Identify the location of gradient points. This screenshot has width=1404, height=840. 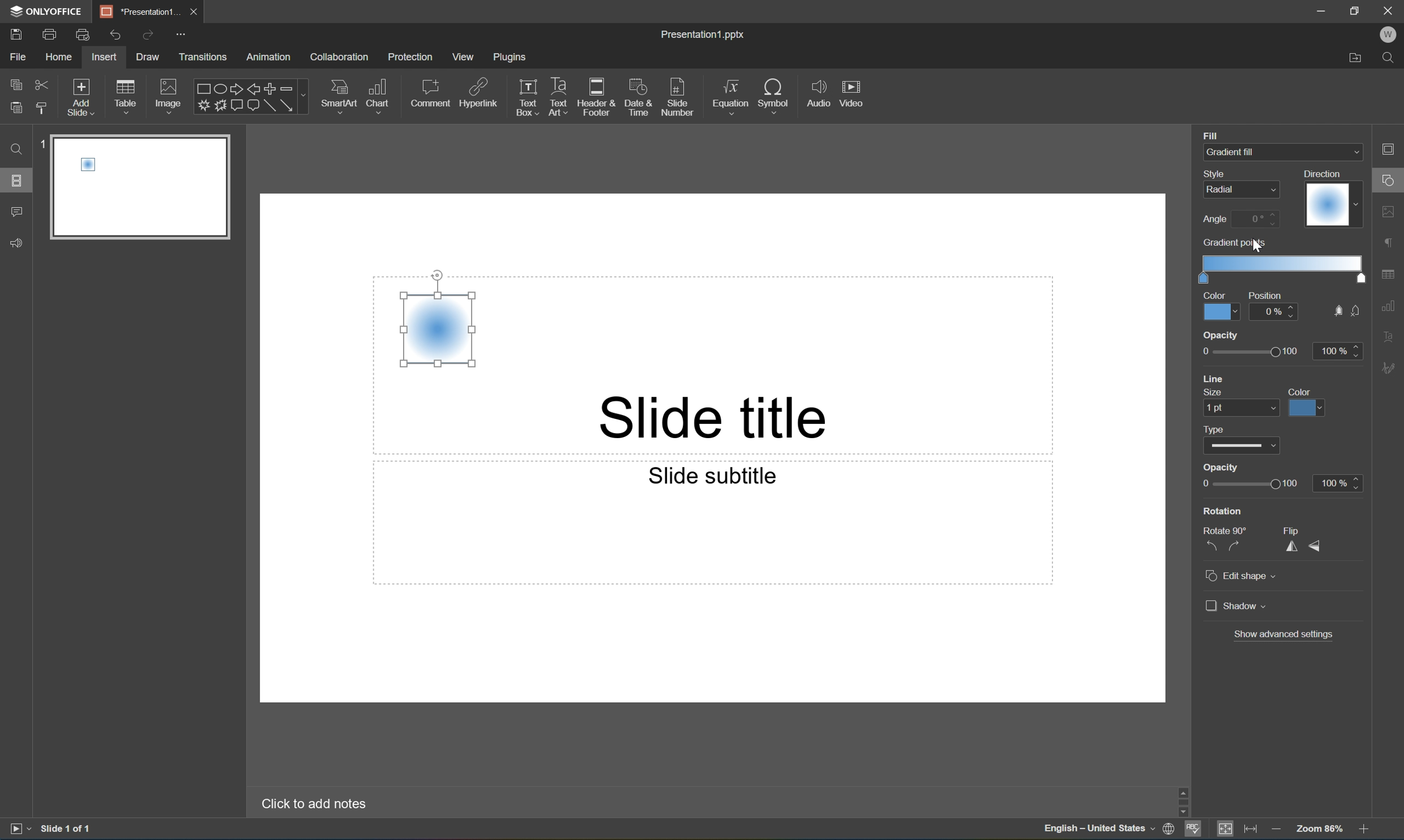
(1282, 261).